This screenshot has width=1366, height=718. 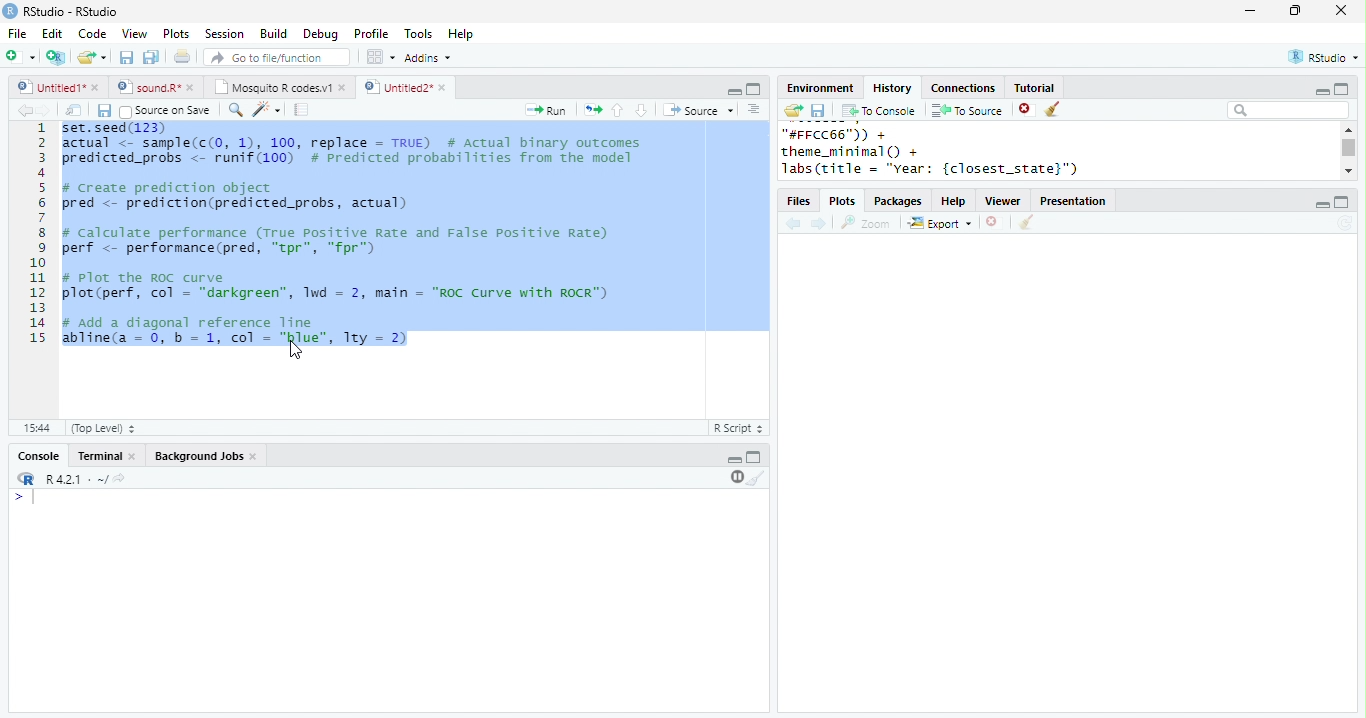 What do you see at coordinates (593, 110) in the screenshot?
I see `rerun` at bounding box center [593, 110].